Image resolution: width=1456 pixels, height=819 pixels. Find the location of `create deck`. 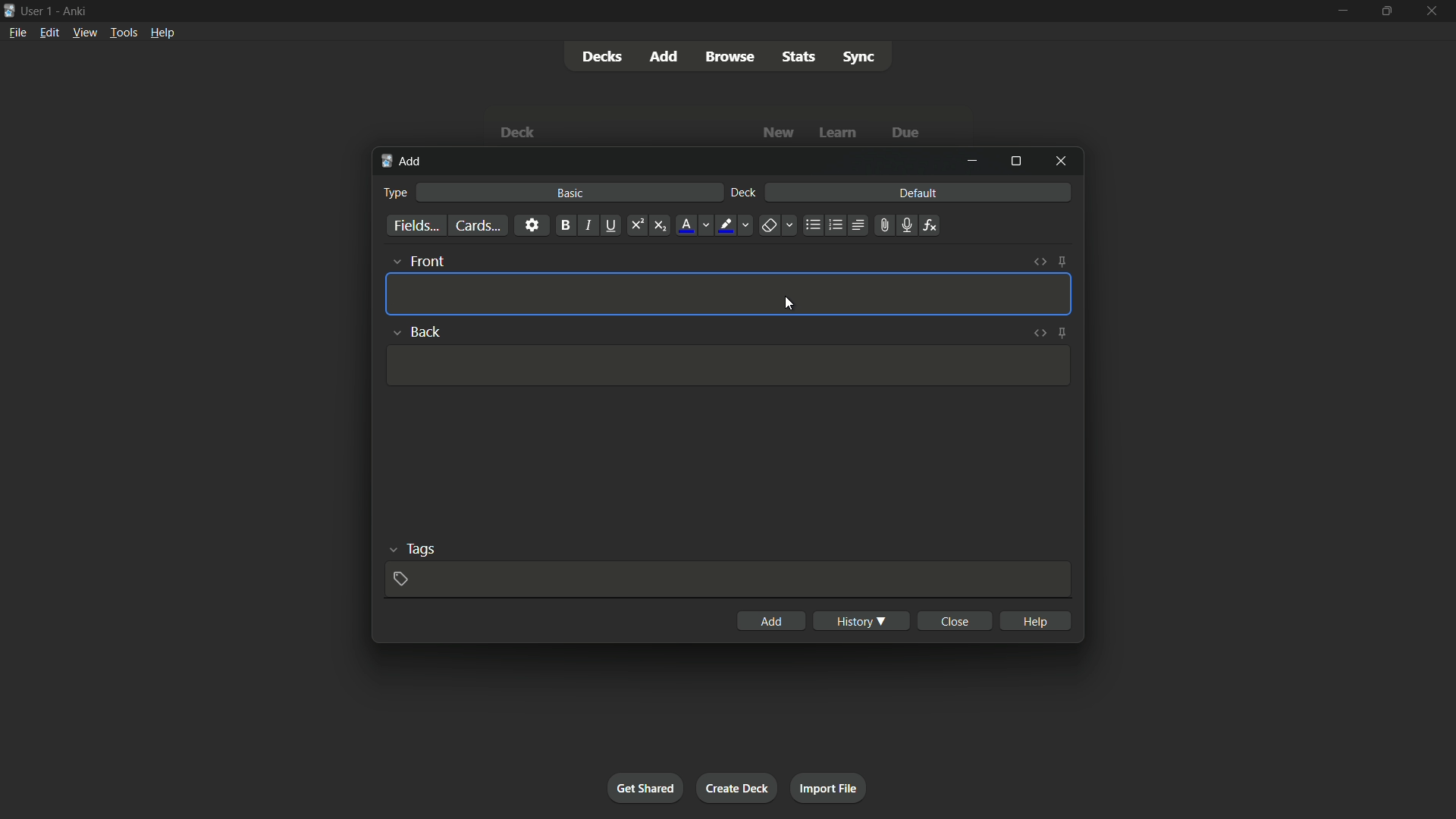

create deck is located at coordinates (736, 787).